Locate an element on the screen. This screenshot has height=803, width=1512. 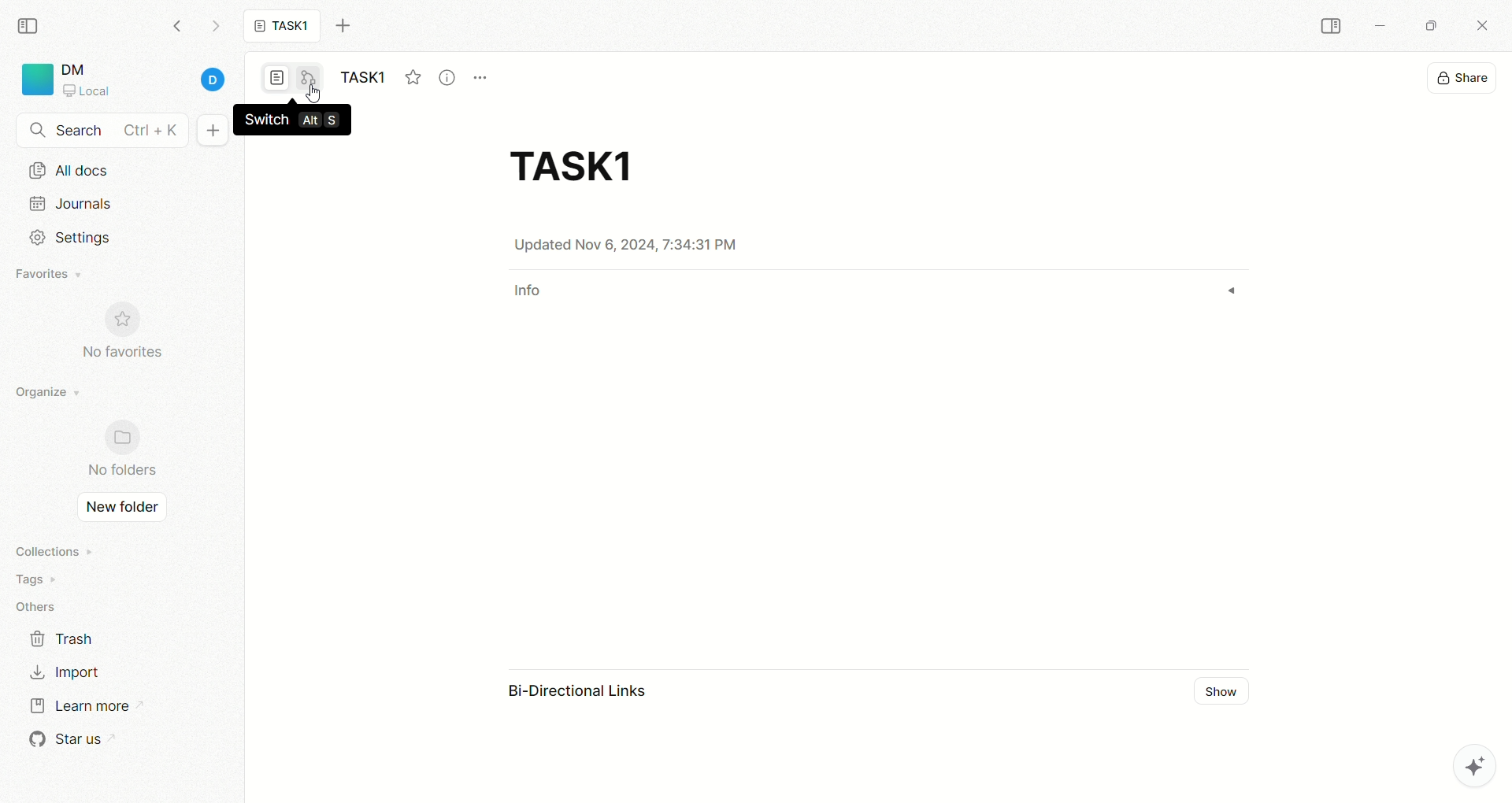
trash is located at coordinates (63, 638).